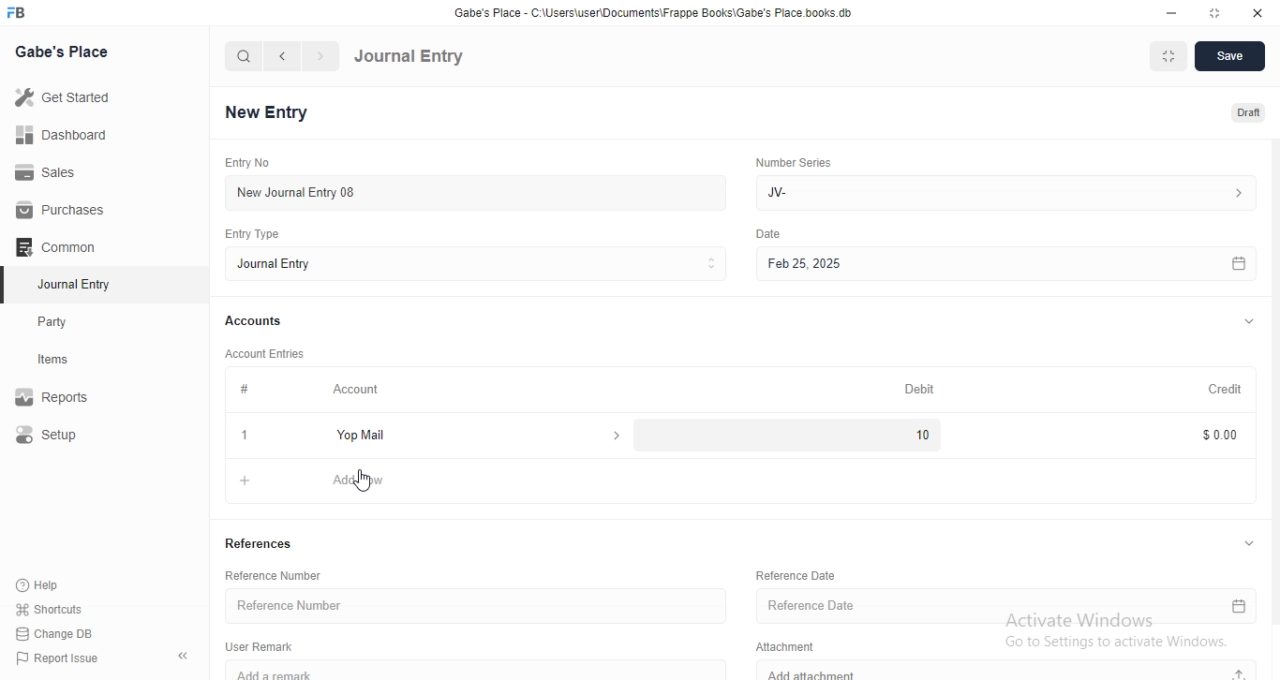 Image resolution: width=1280 pixels, height=680 pixels. What do you see at coordinates (1256, 11) in the screenshot?
I see `close` at bounding box center [1256, 11].